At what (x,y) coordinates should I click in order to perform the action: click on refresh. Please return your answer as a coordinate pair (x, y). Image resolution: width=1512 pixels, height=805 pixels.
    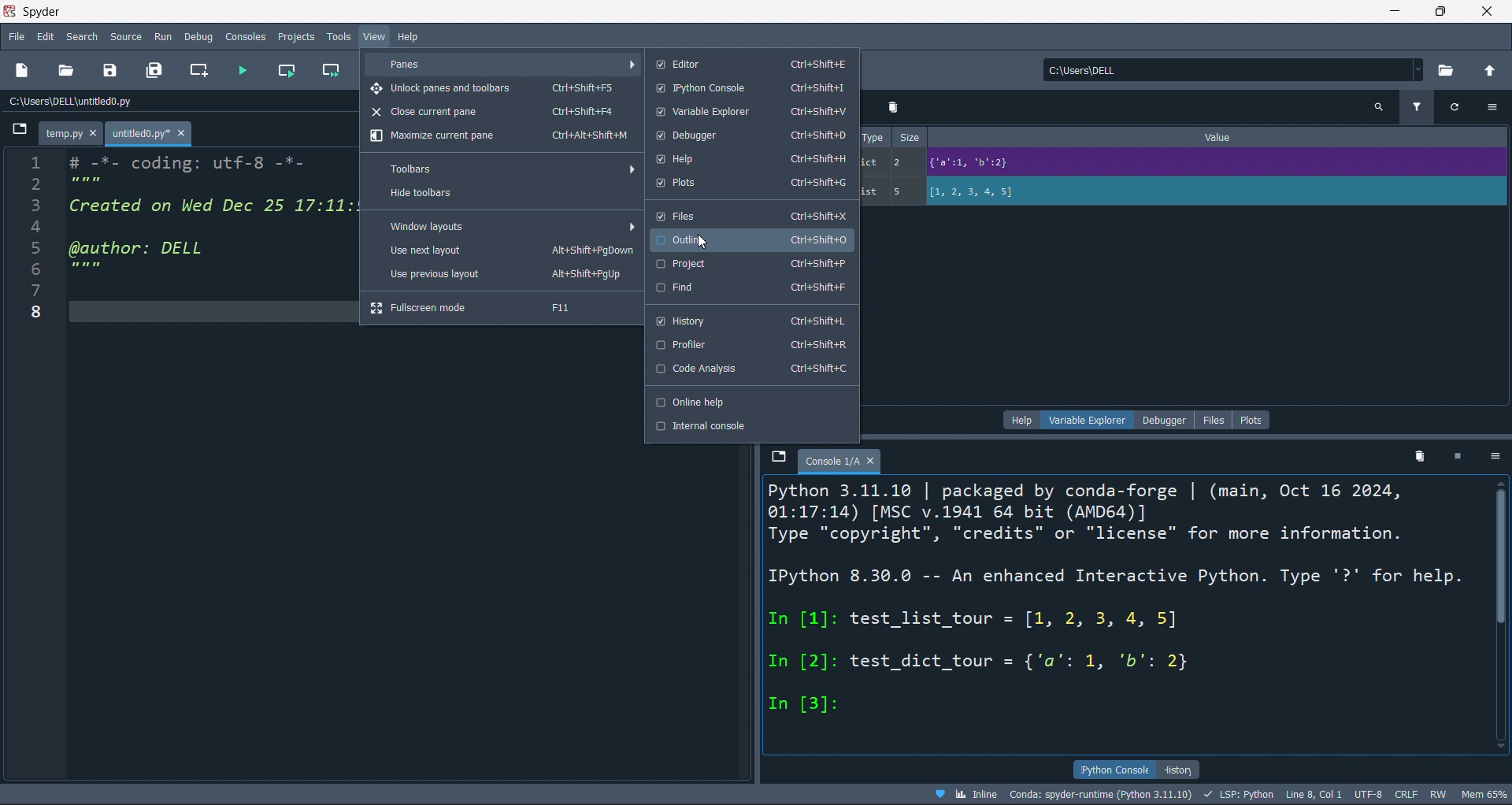
    Looking at the image, I should click on (1457, 108).